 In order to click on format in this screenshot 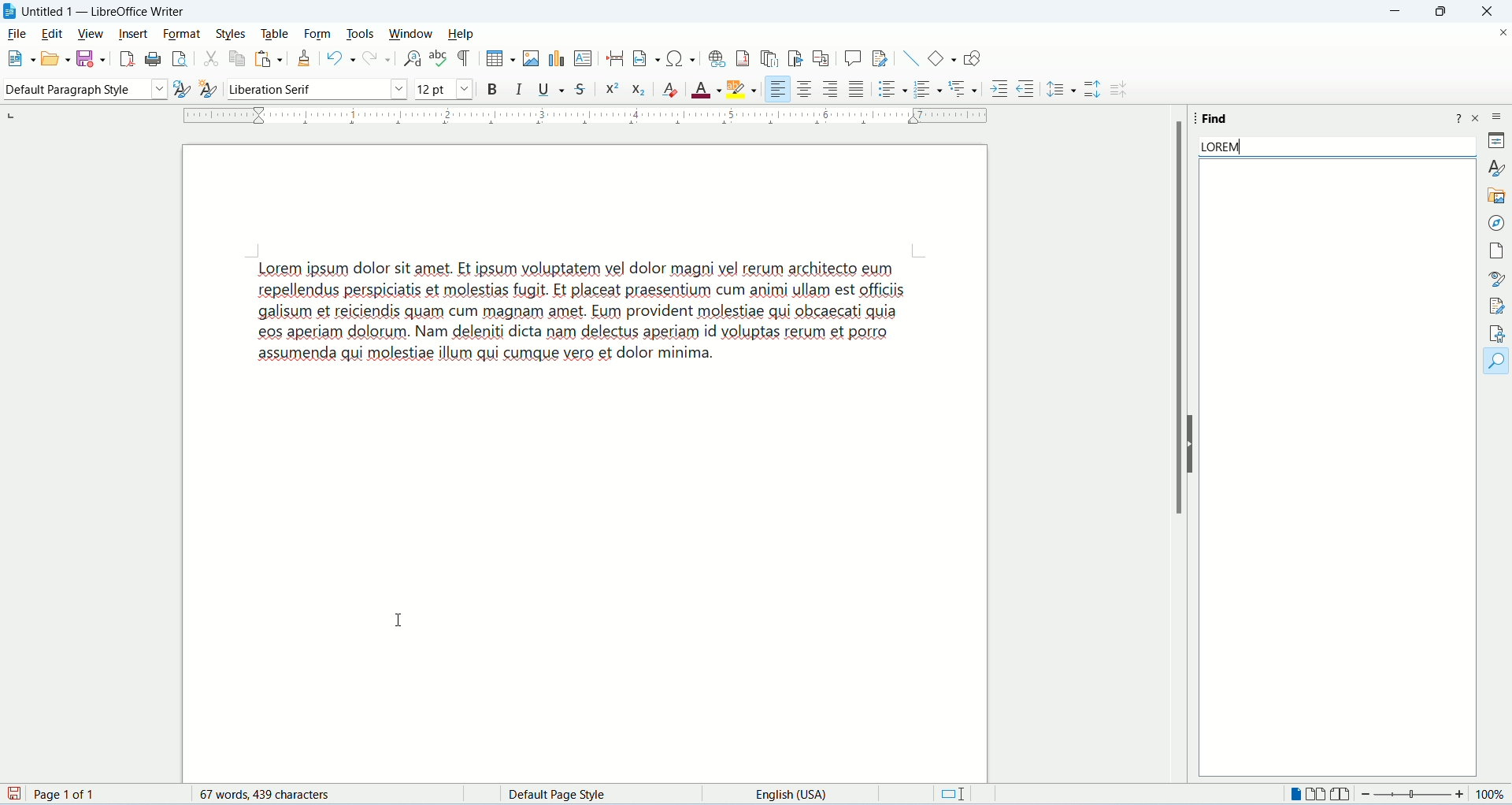, I will do `click(180, 34)`.